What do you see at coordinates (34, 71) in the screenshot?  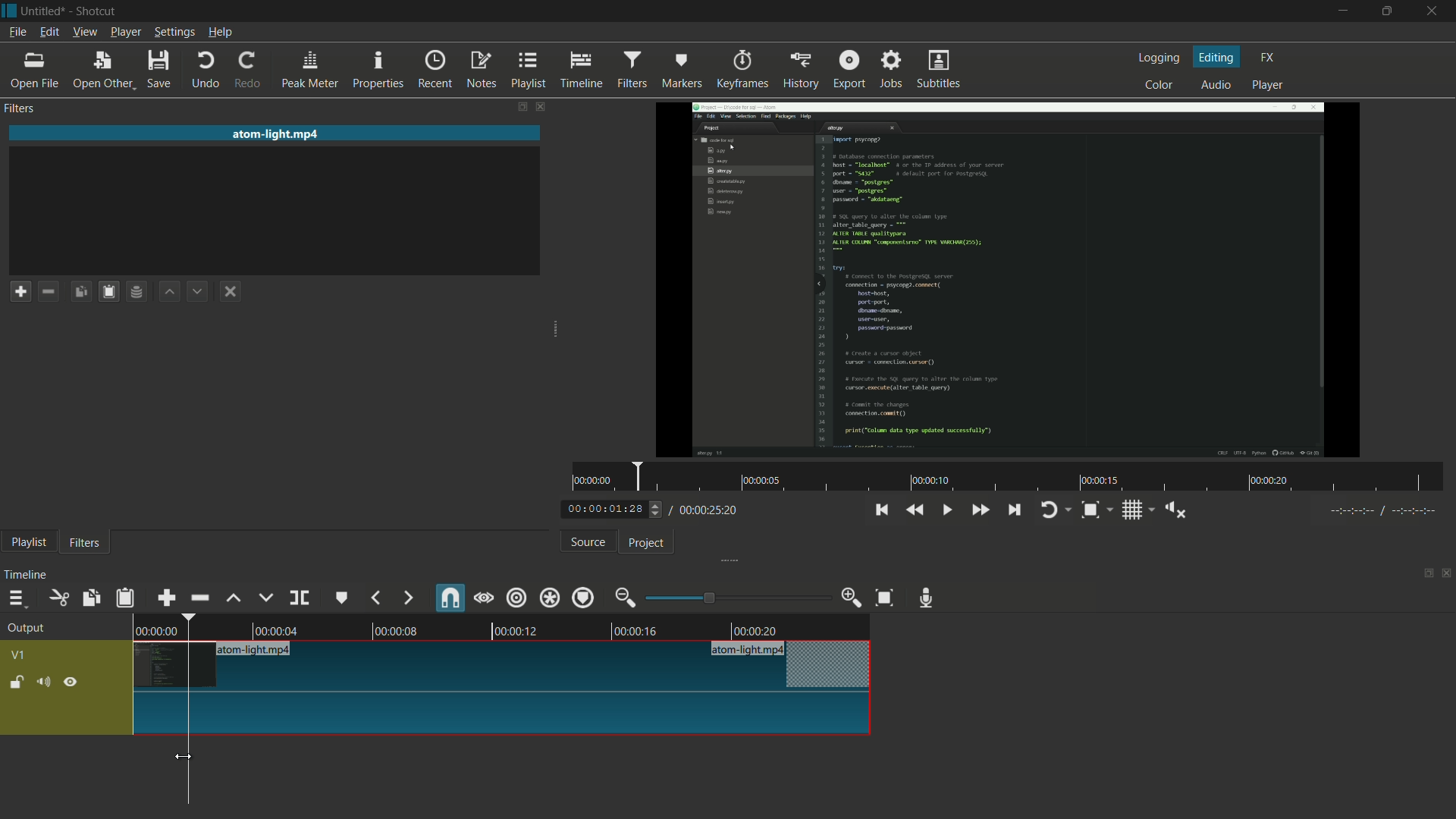 I see `open file` at bounding box center [34, 71].